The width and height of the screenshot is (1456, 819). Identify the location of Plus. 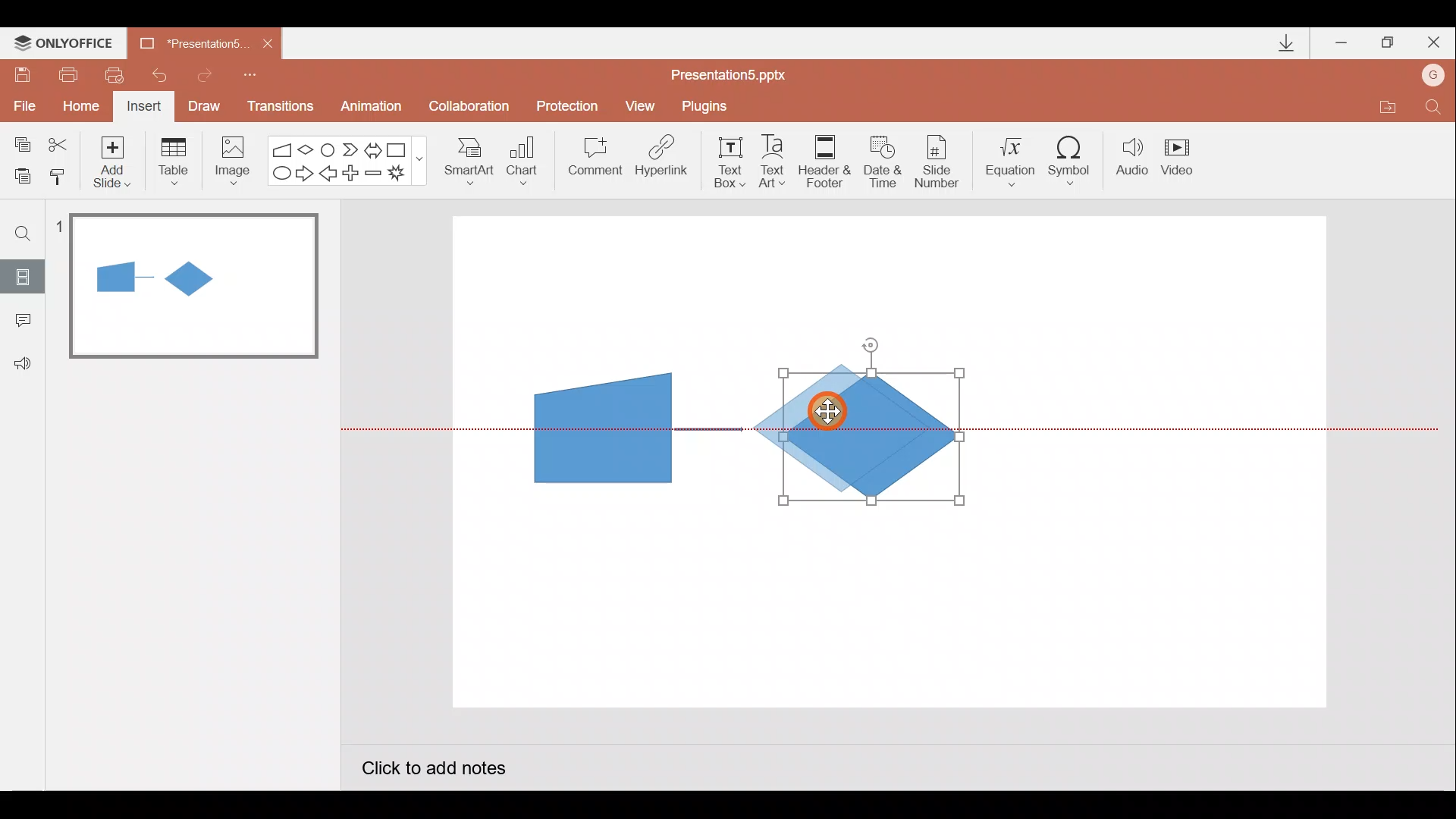
(353, 175).